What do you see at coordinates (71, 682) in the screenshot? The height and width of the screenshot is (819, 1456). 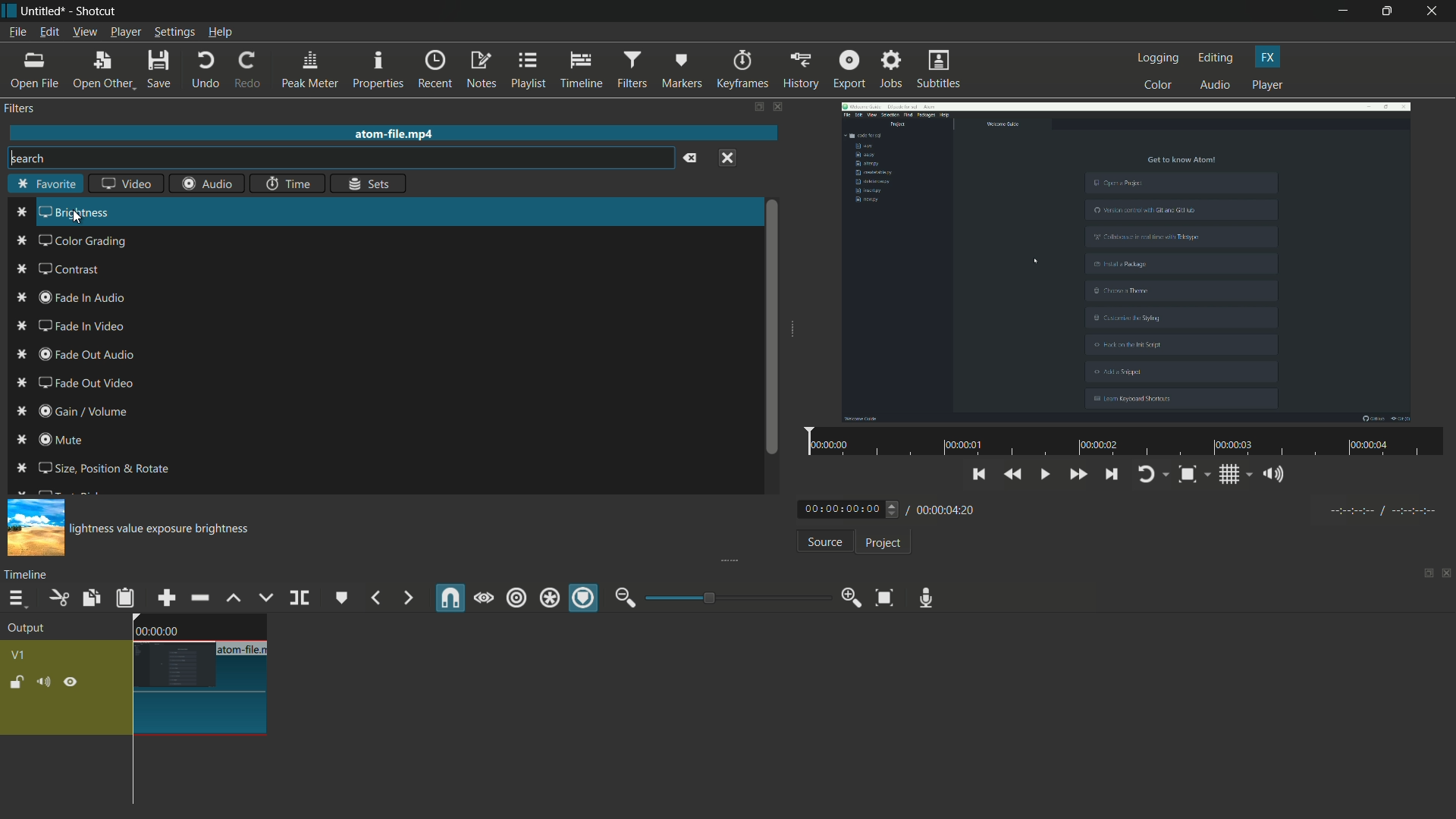 I see `hide` at bounding box center [71, 682].